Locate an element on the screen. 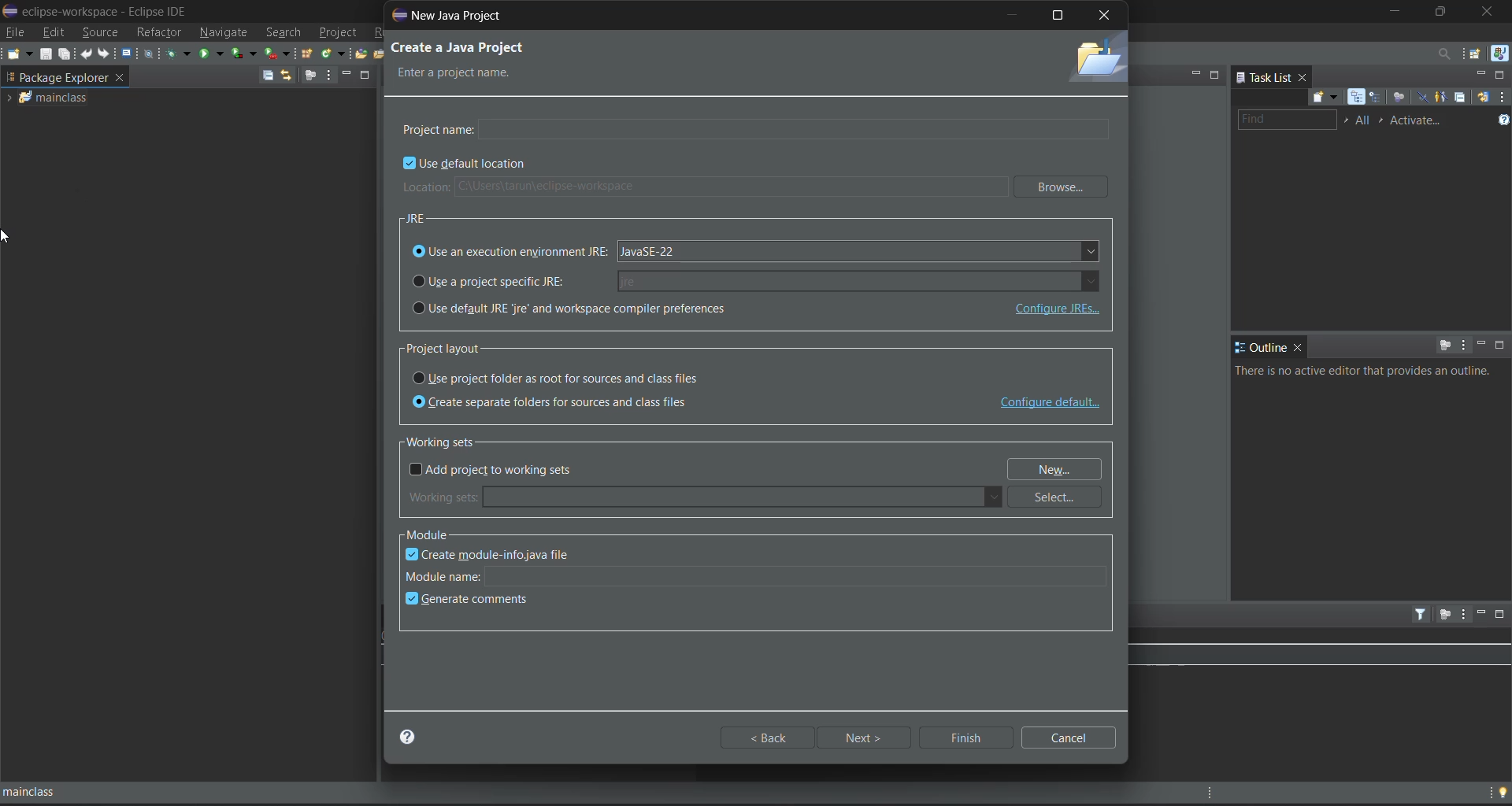  maximize is located at coordinates (366, 76).